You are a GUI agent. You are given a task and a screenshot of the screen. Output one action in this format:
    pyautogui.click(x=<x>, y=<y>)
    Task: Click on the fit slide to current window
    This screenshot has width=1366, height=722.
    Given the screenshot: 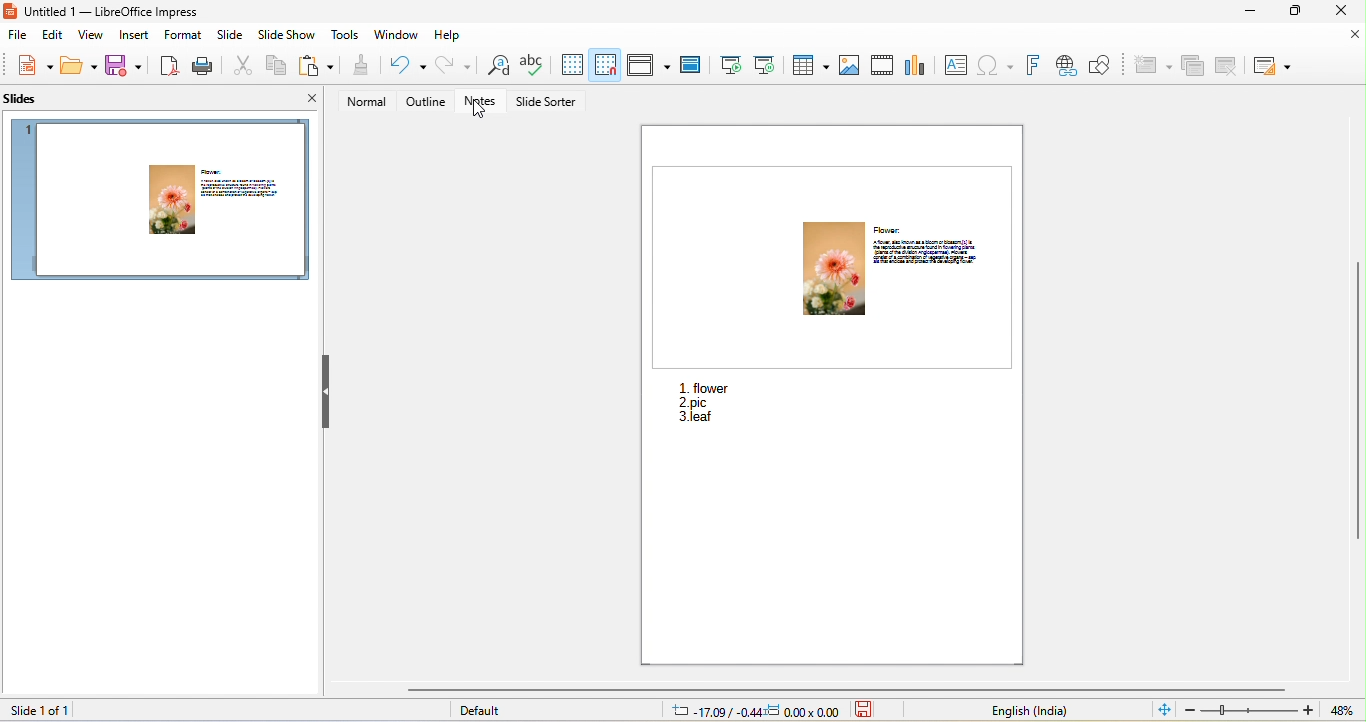 What is the action you would take?
    pyautogui.click(x=1162, y=710)
    